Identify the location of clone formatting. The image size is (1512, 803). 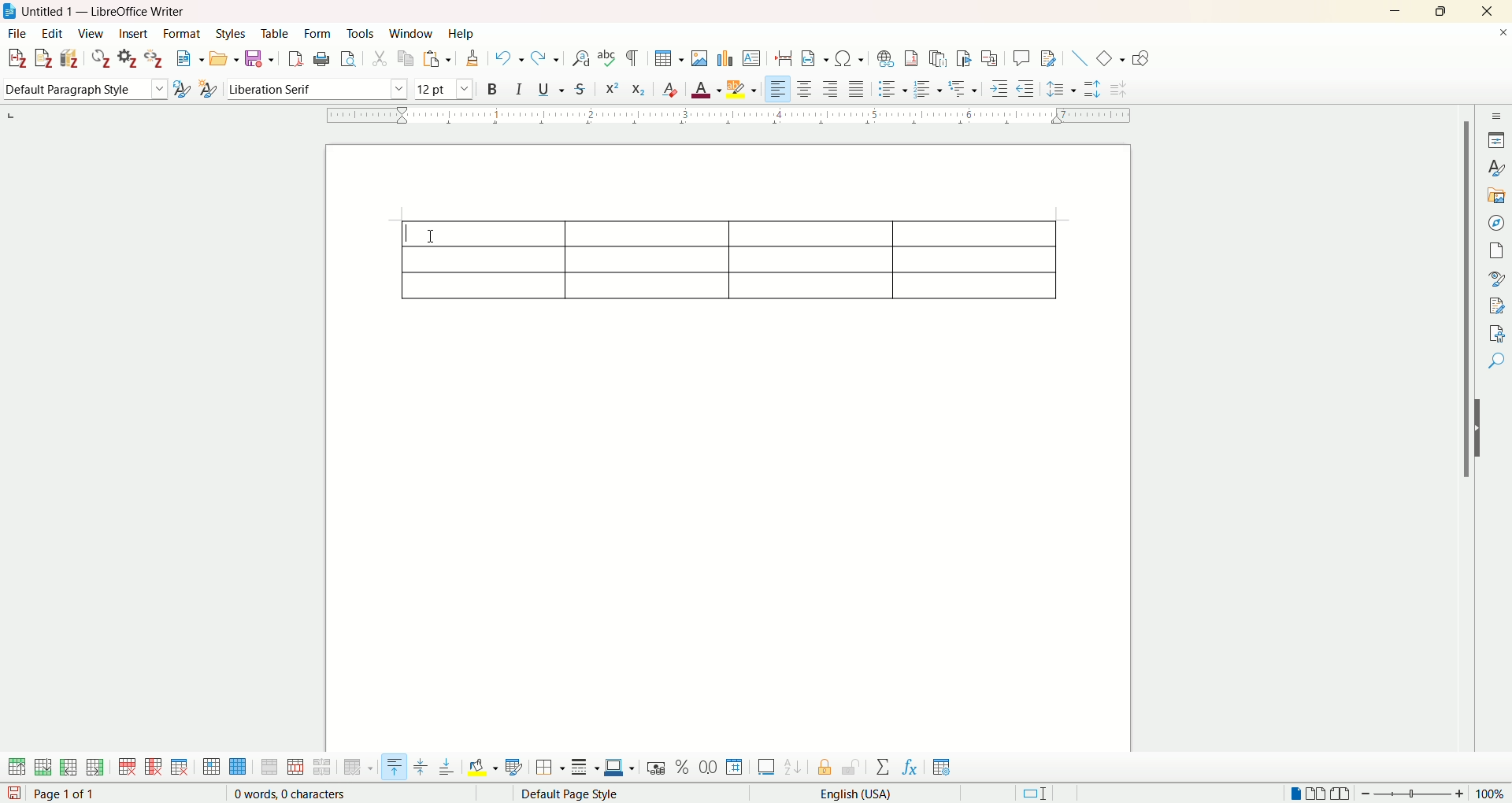
(469, 59).